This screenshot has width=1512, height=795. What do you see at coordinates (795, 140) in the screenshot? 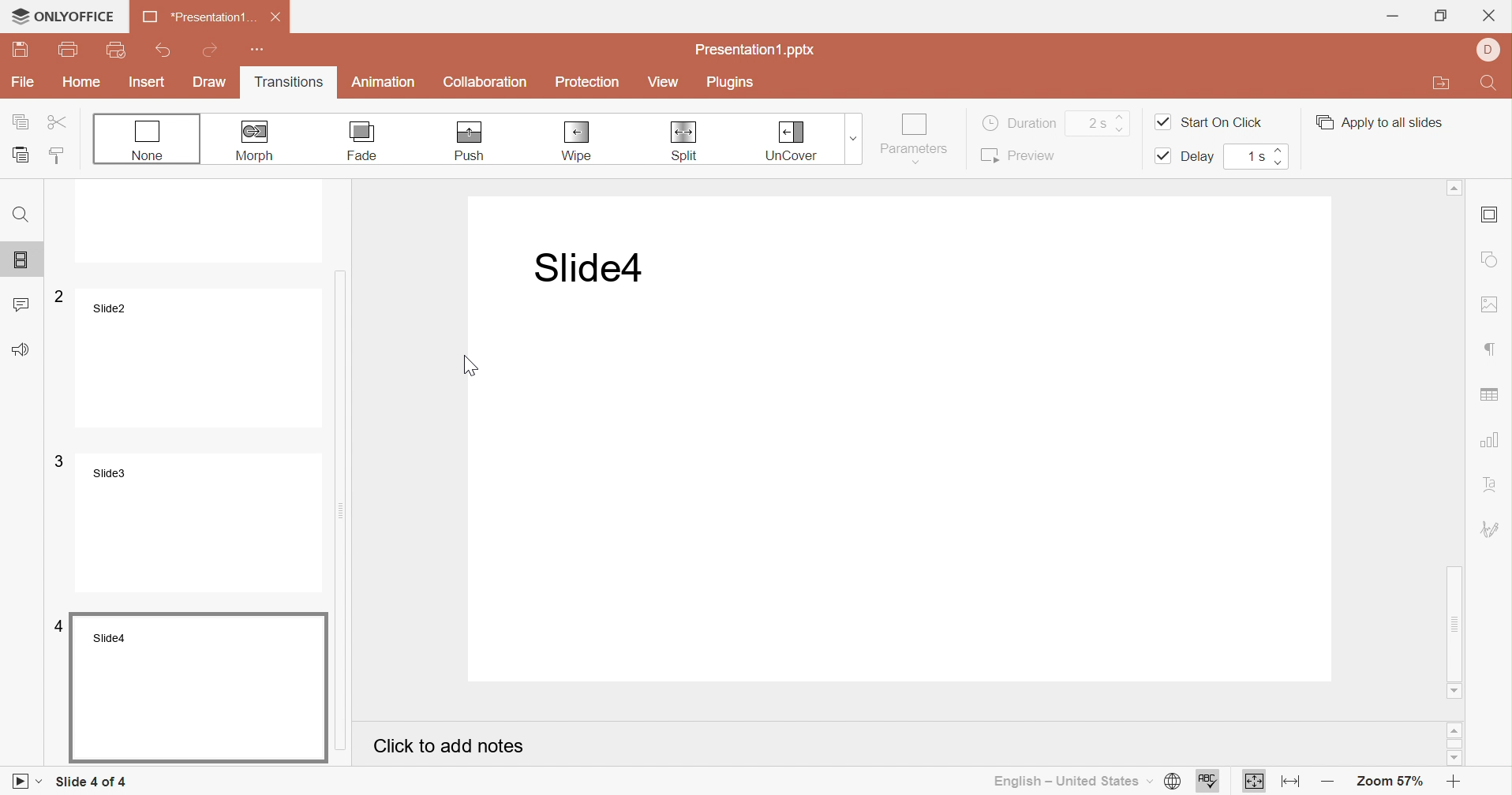
I see `Uncover` at bounding box center [795, 140].